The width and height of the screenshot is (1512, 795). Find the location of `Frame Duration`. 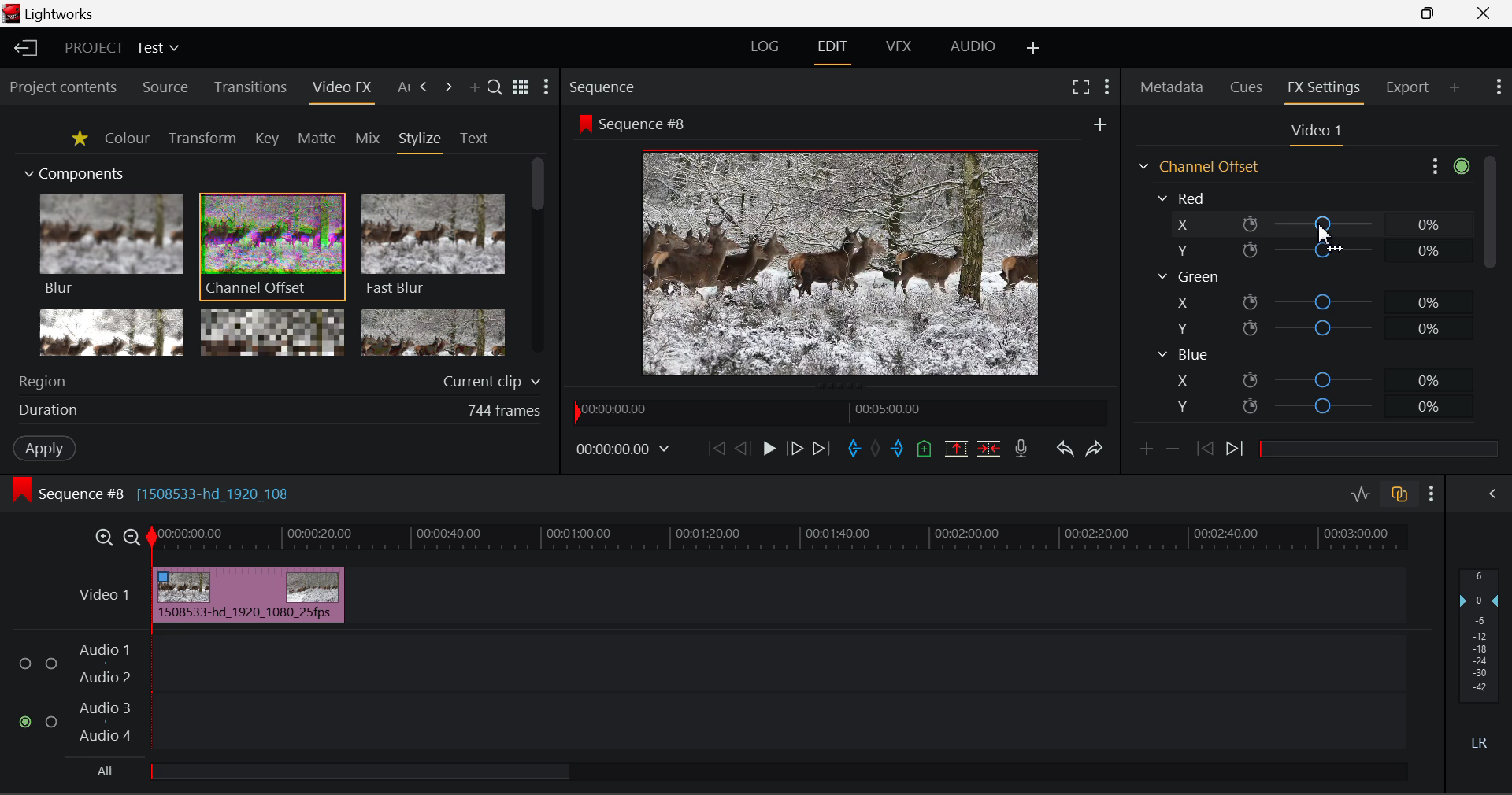

Frame Duration is located at coordinates (280, 412).